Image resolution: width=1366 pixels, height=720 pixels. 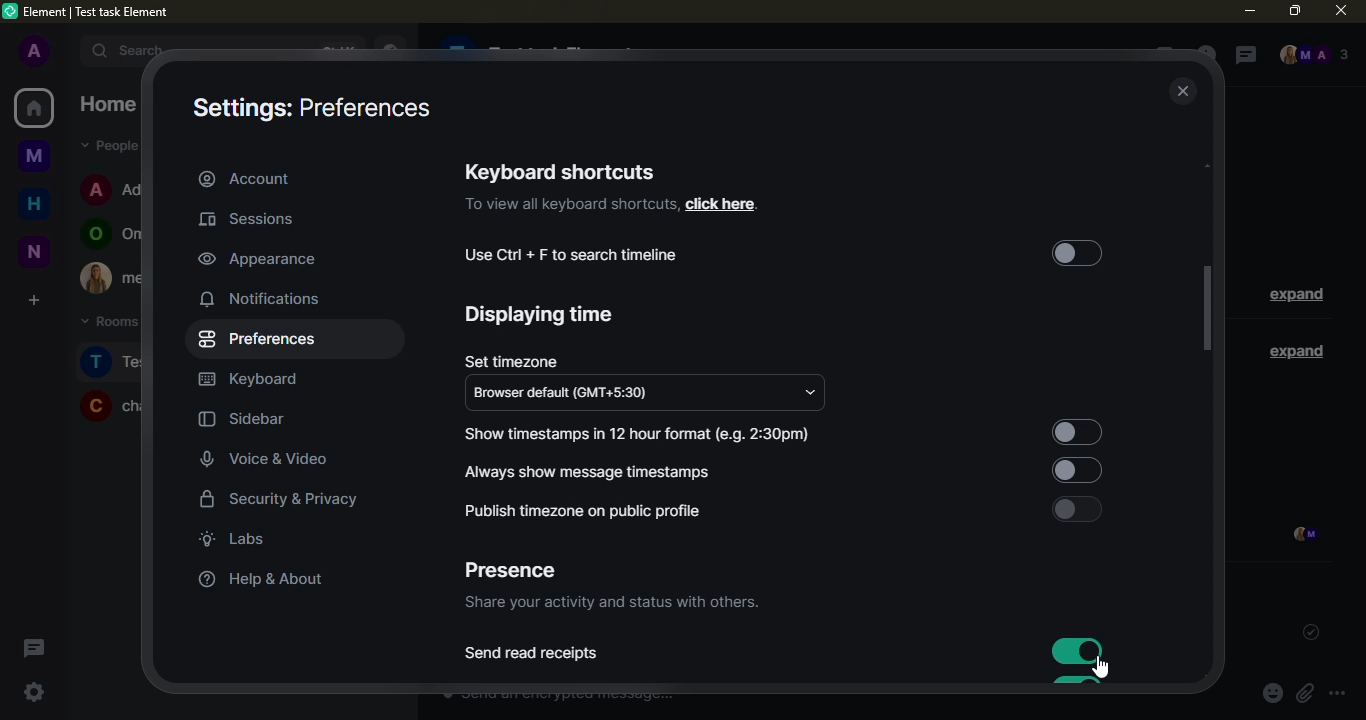 I want to click on emoji, so click(x=1272, y=694).